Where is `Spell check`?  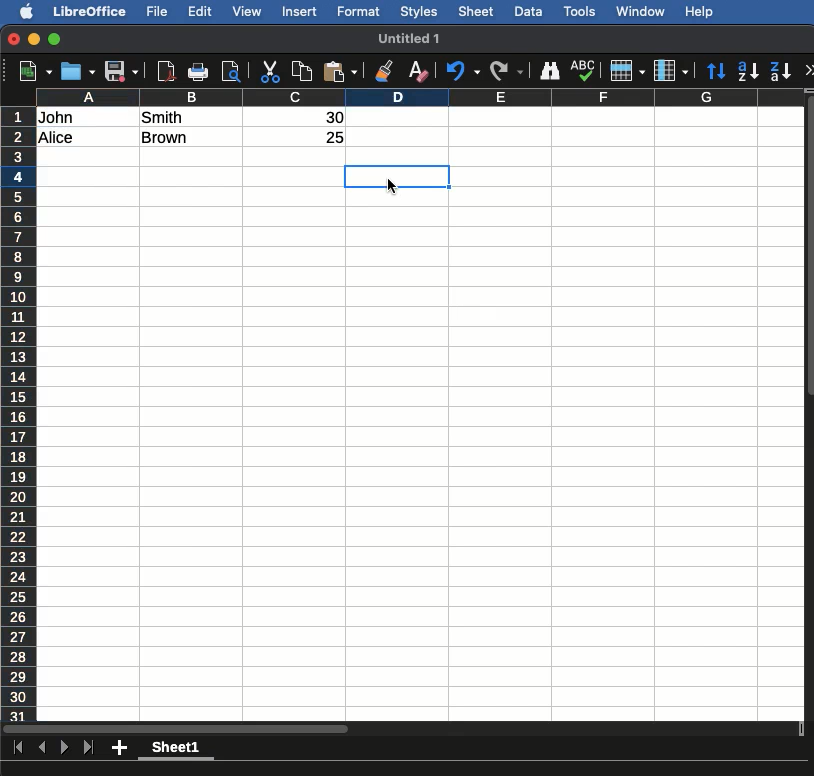 Spell check is located at coordinates (584, 69).